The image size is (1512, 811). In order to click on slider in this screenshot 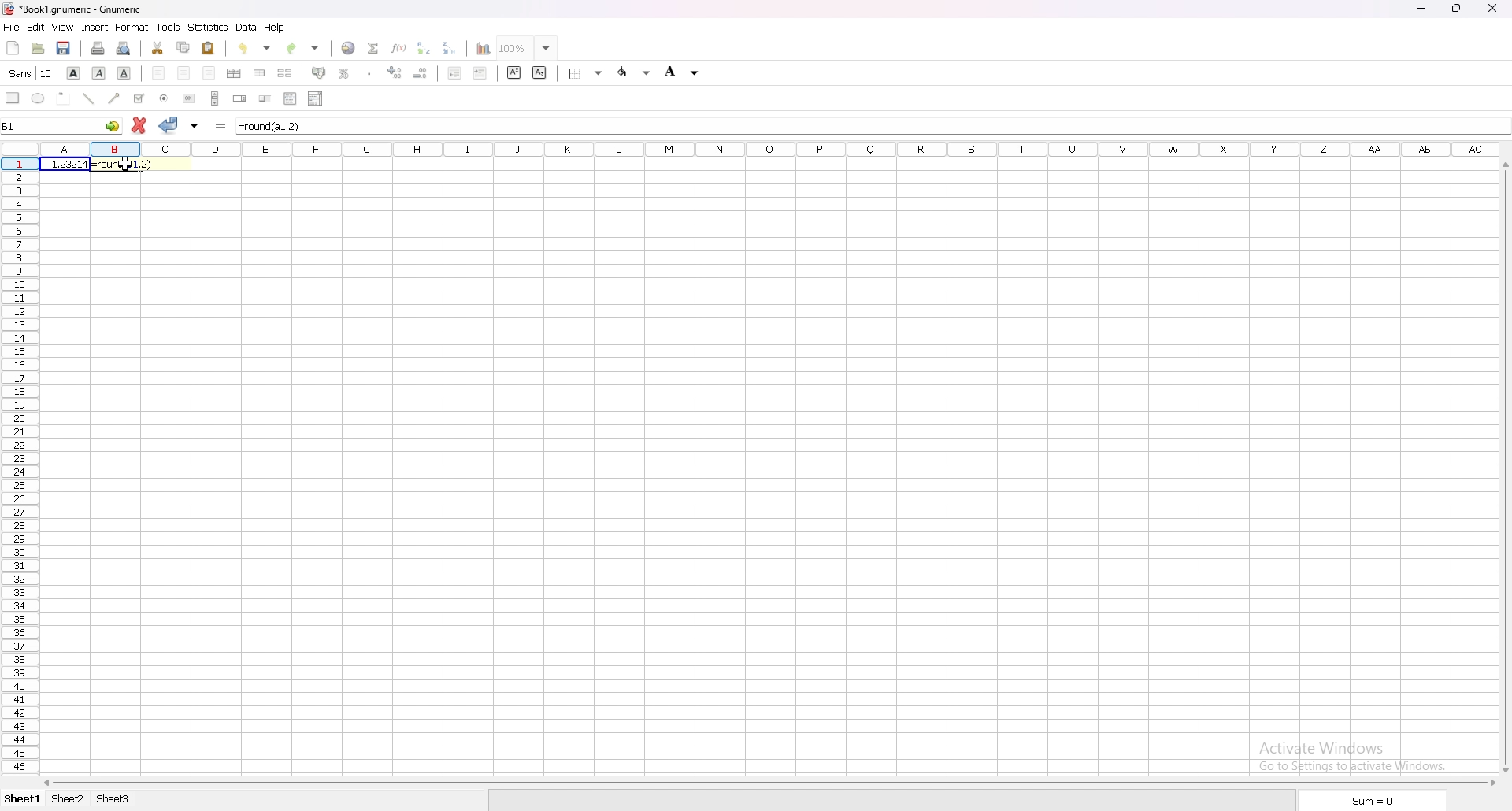, I will do `click(265, 99)`.